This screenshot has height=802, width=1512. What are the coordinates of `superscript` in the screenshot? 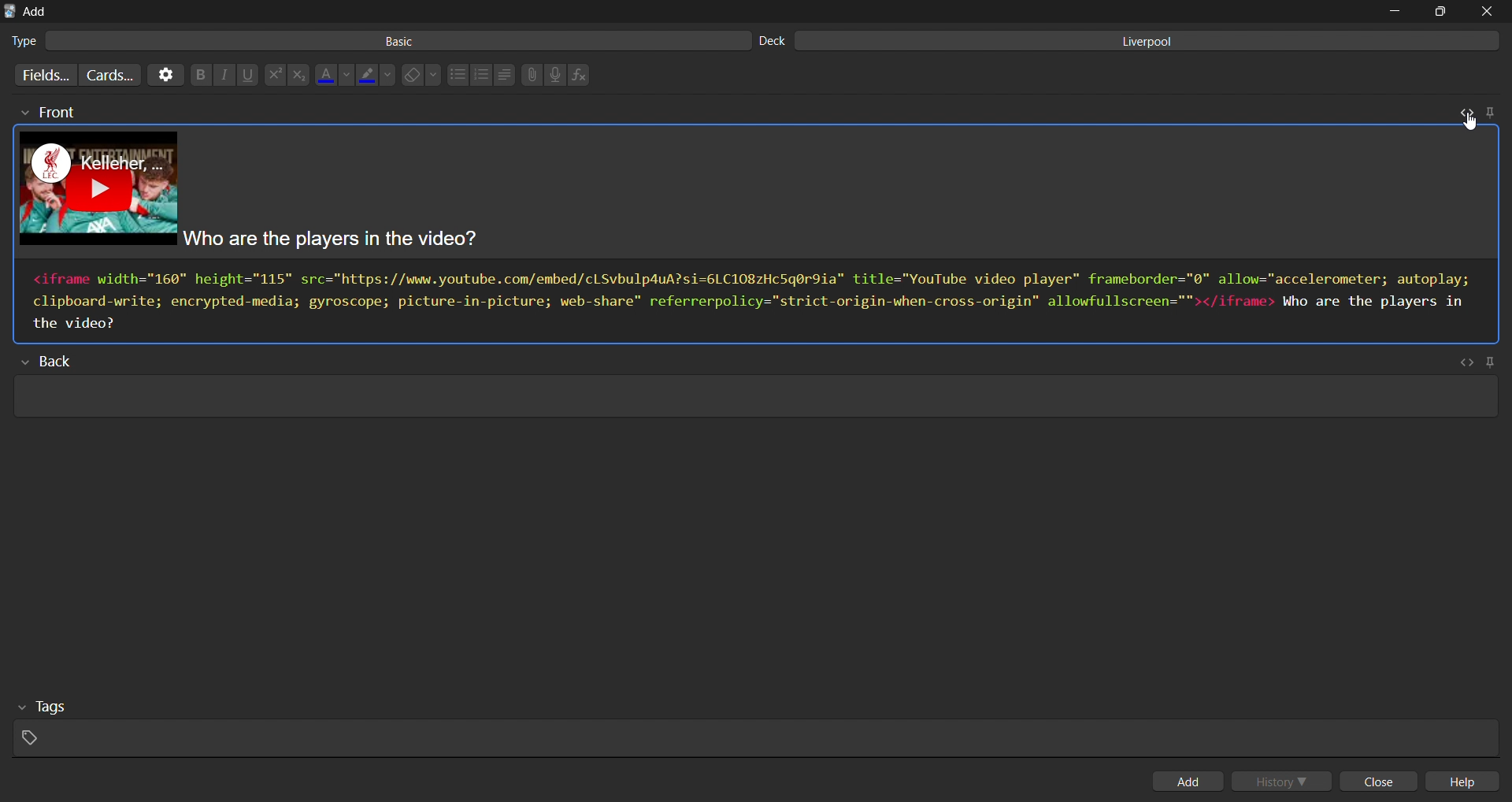 It's located at (273, 76).